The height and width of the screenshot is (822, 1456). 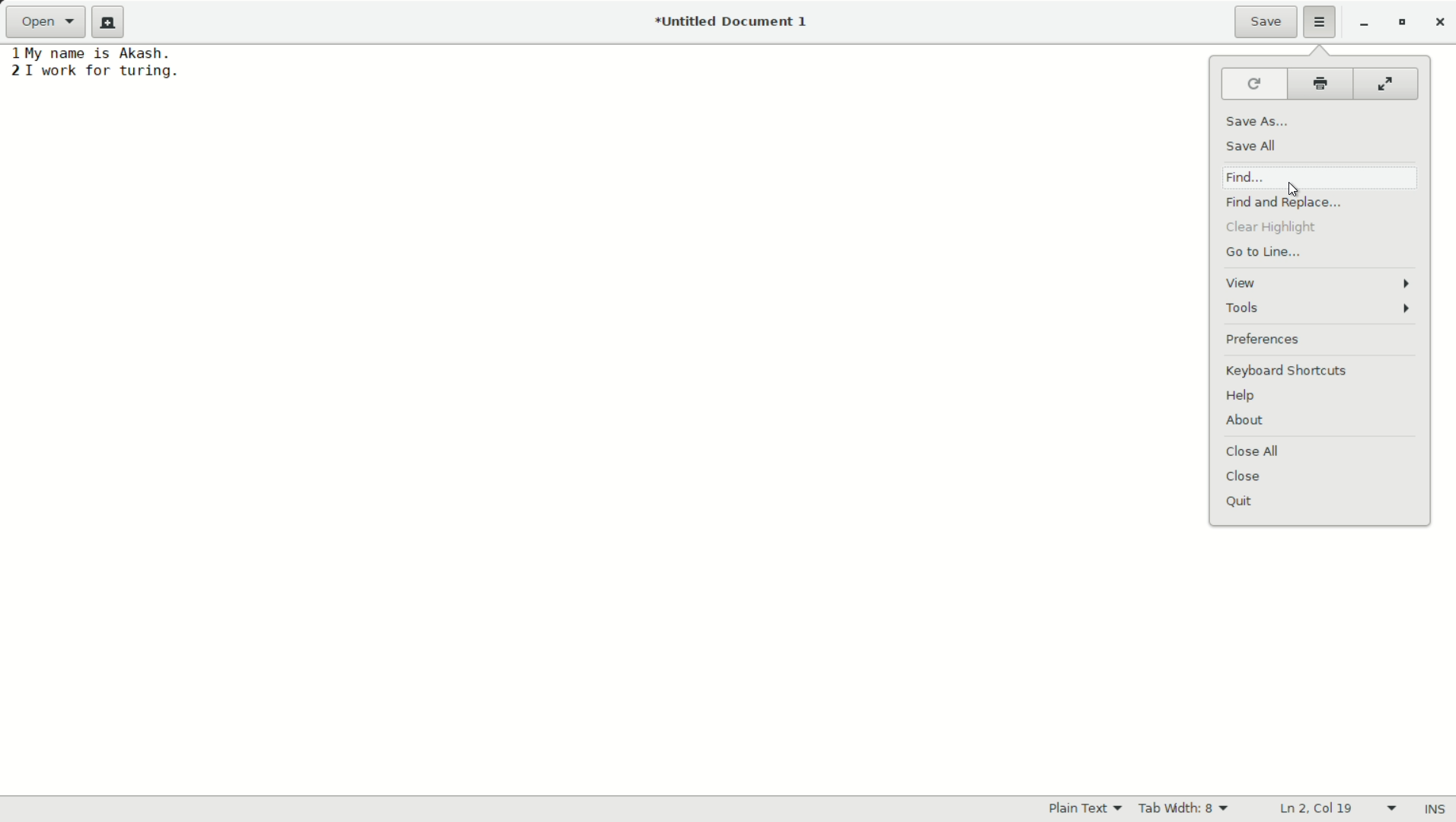 I want to click on line and columns, so click(x=1339, y=808).